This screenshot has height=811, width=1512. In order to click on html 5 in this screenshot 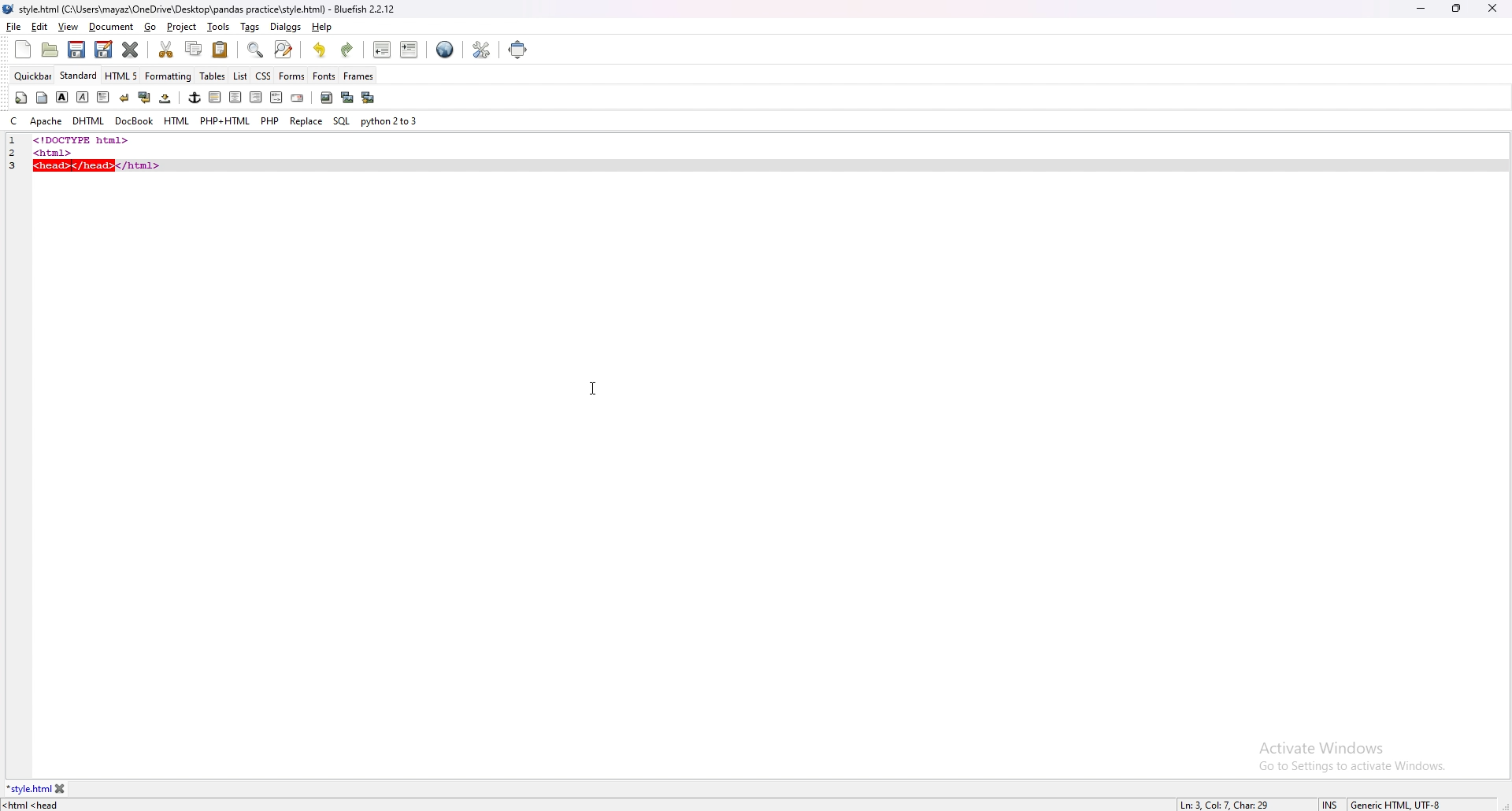, I will do `click(123, 76)`.